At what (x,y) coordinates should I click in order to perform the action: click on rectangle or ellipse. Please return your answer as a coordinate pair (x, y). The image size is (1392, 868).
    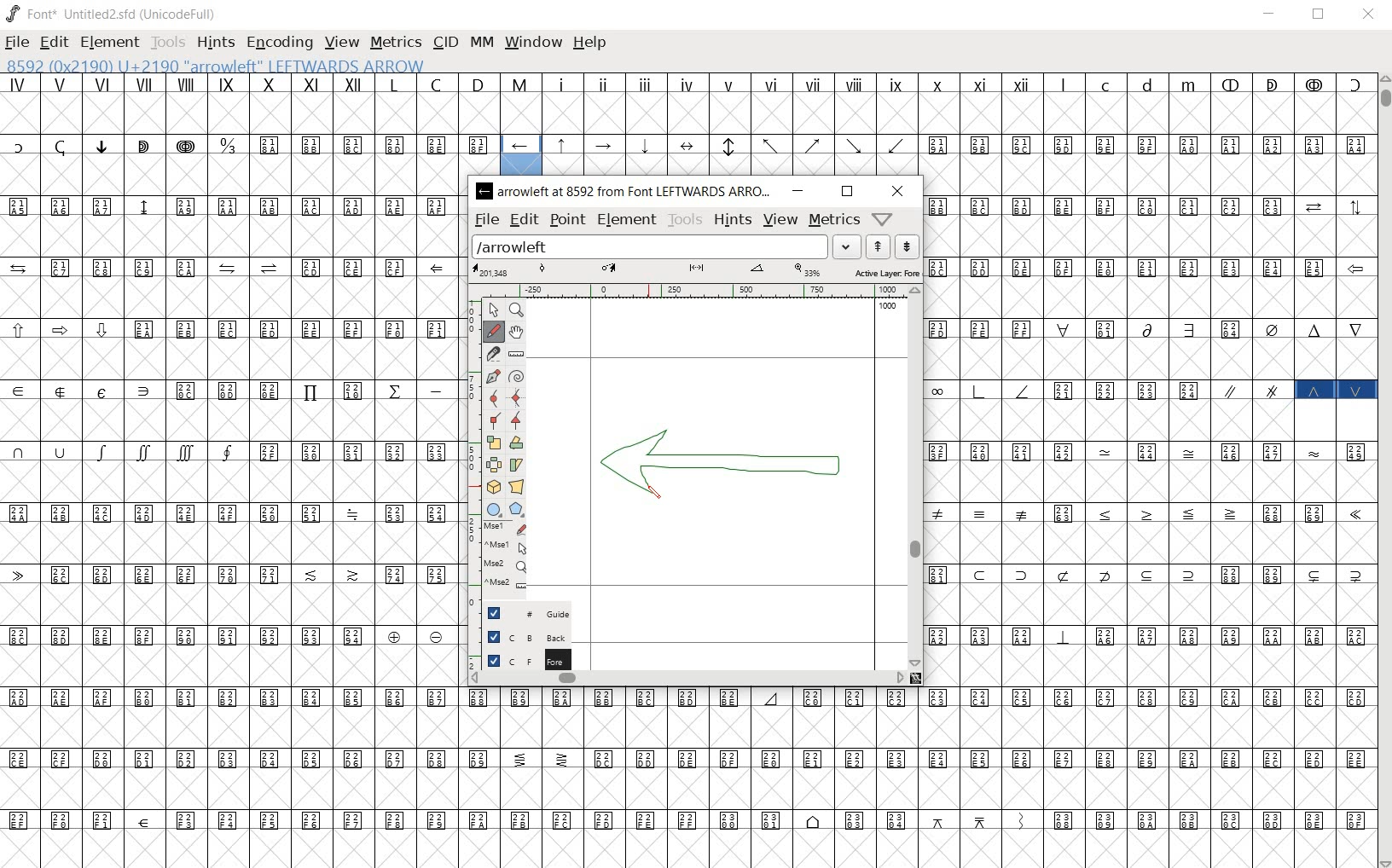
    Looking at the image, I should click on (495, 510).